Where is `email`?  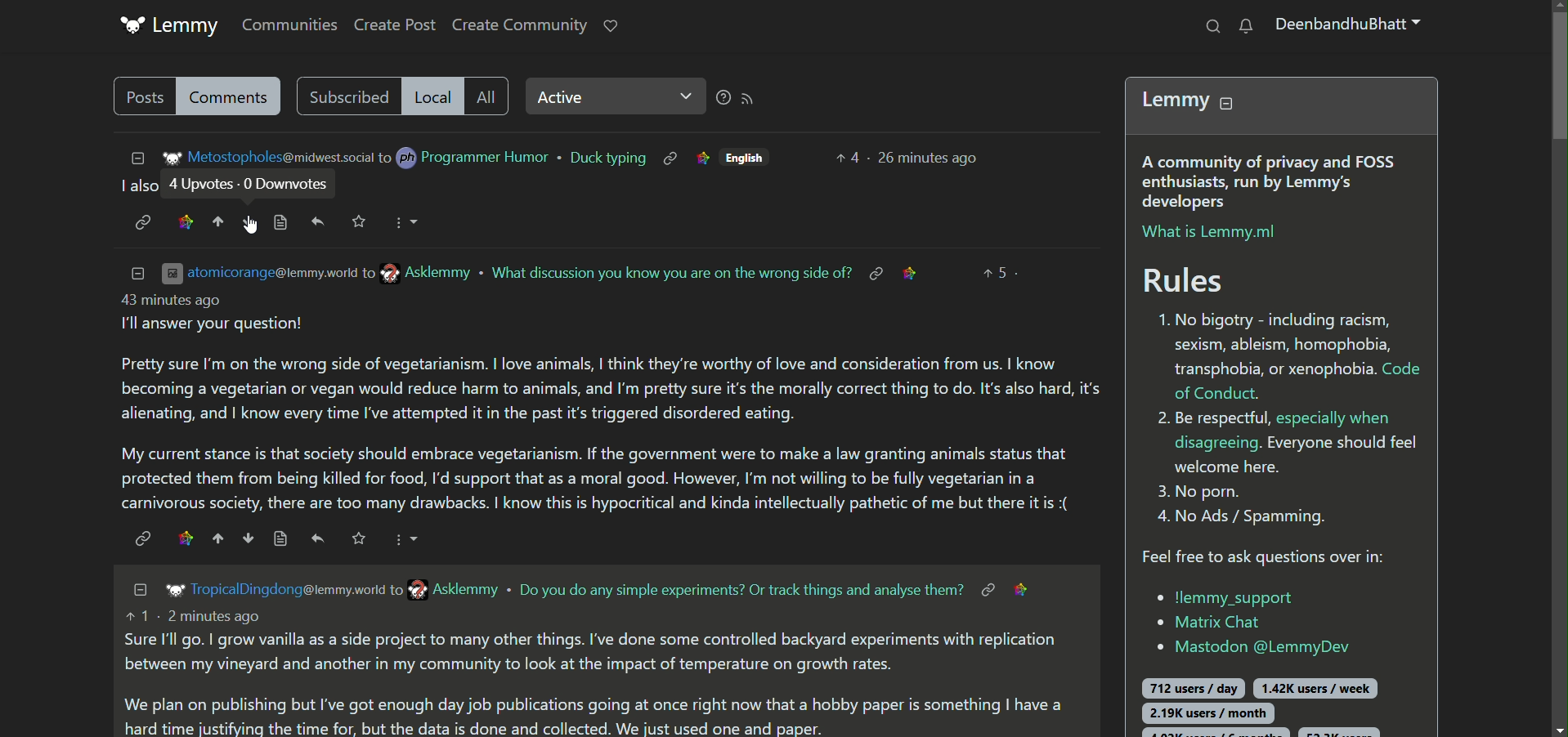
email is located at coordinates (450, 589).